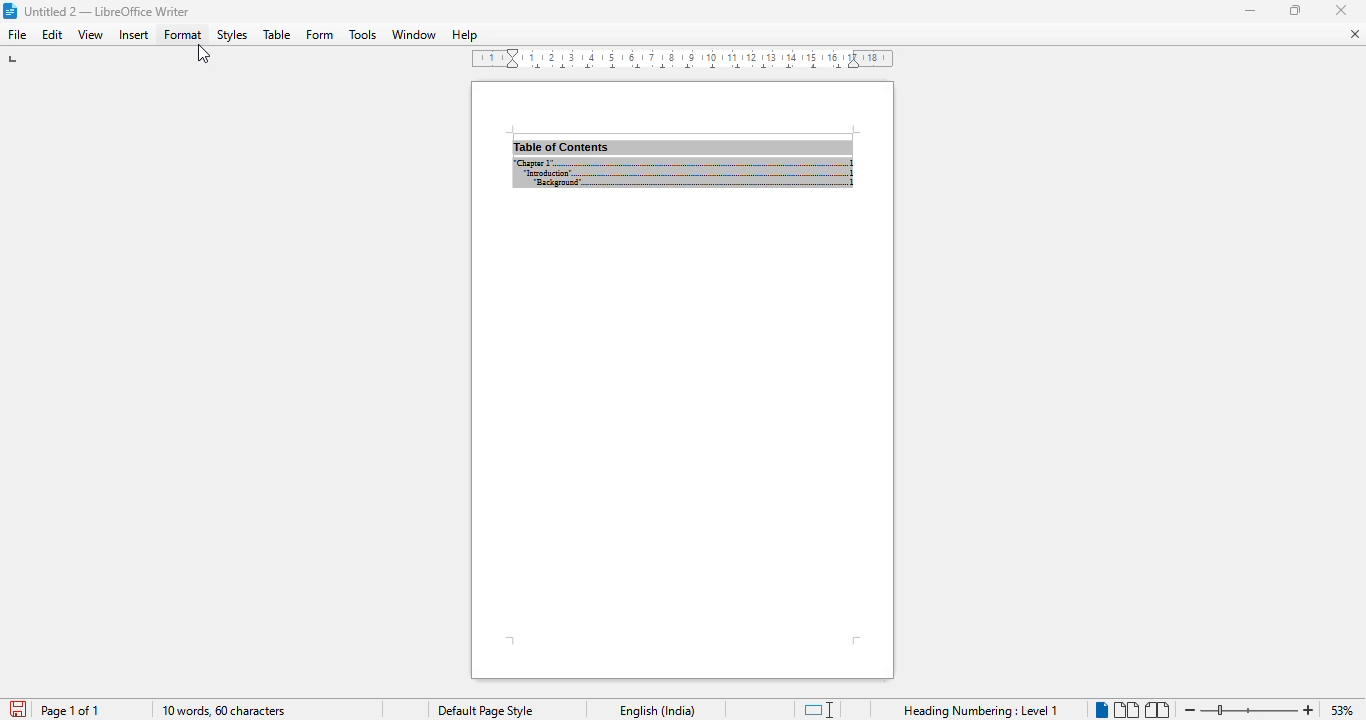 The width and height of the screenshot is (1366, 720). Describe the element at coordinates (1310, 710) in the screenshot. I see `zoom in` at that location.